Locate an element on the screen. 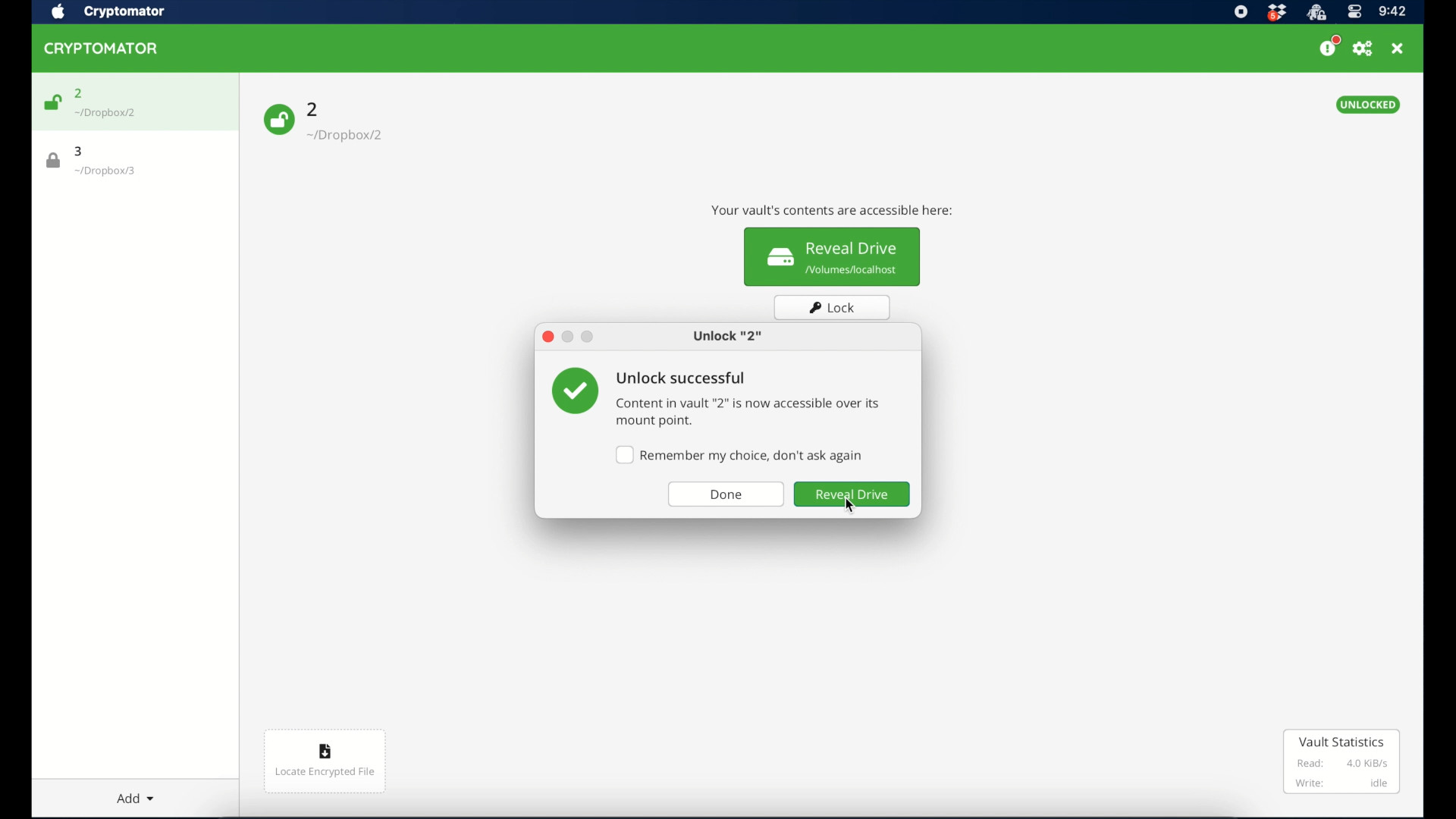 The width and height of the screenshot is (1456, 819). unlock  icon is located at coordinates (52, 102).